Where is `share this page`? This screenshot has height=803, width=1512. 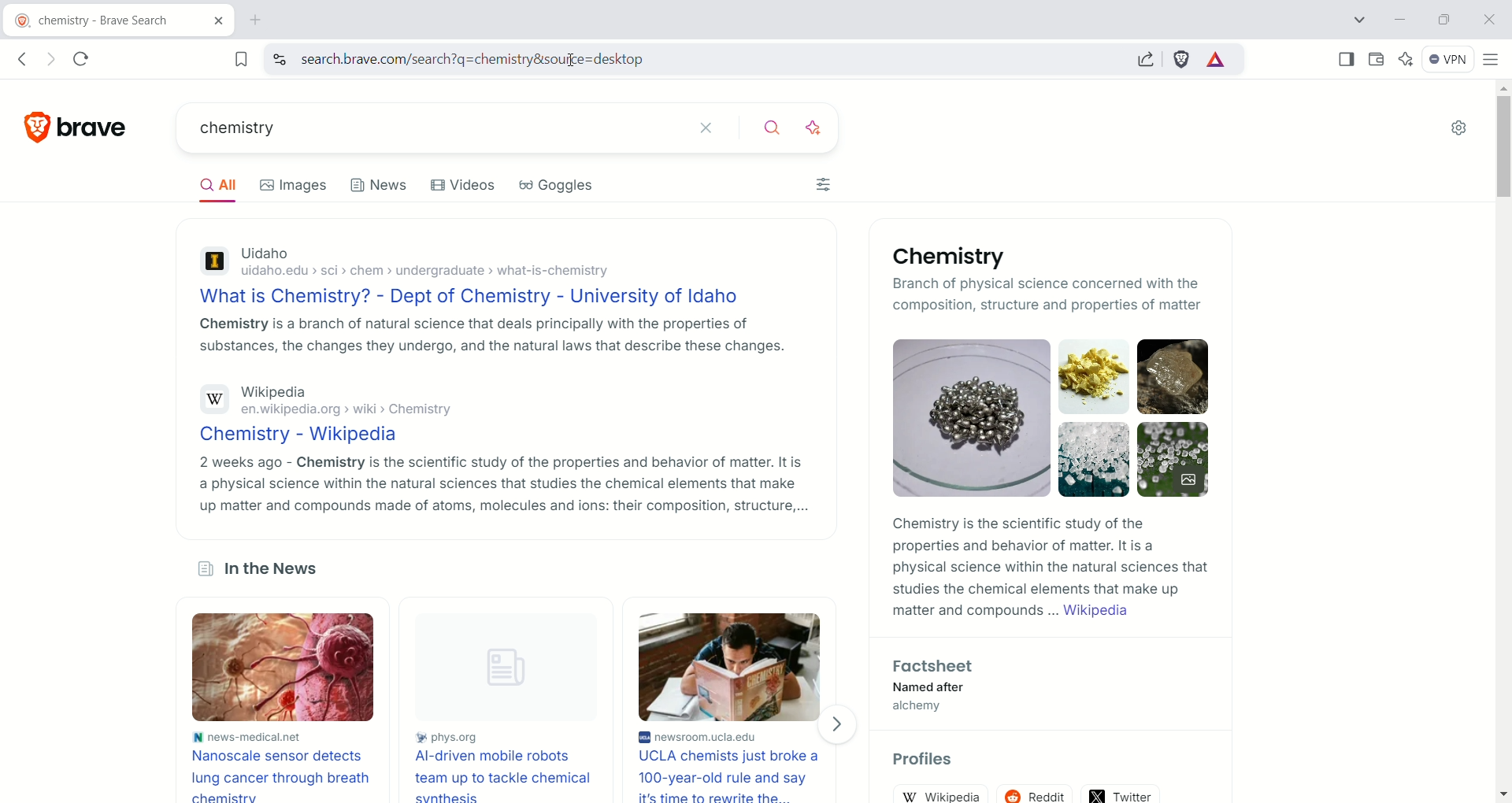
share this page is located at coordinates (1144, 58).